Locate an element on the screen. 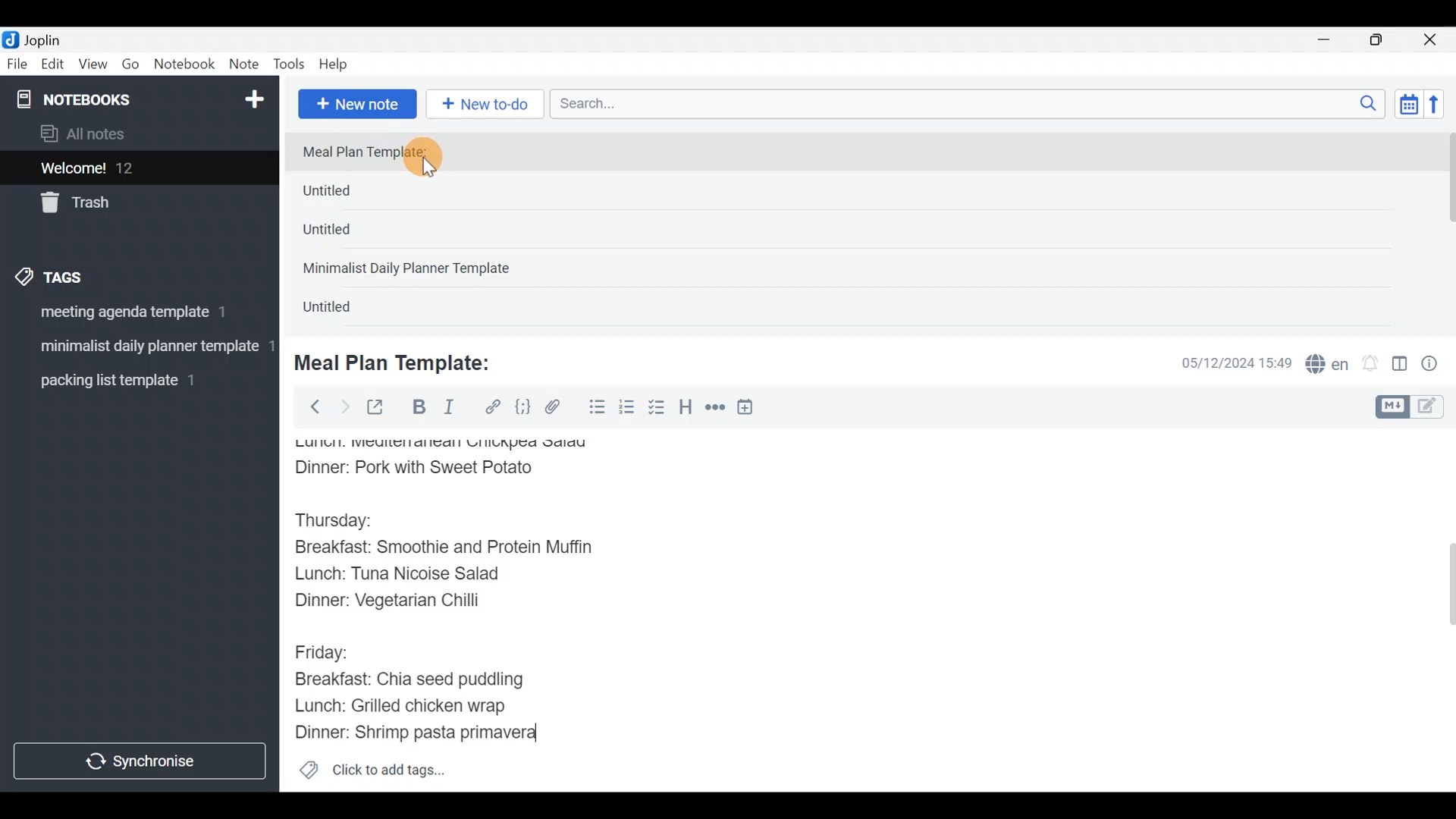 The image size is (1456, 819). Reverse sort is located at coordinates (1442, 108).